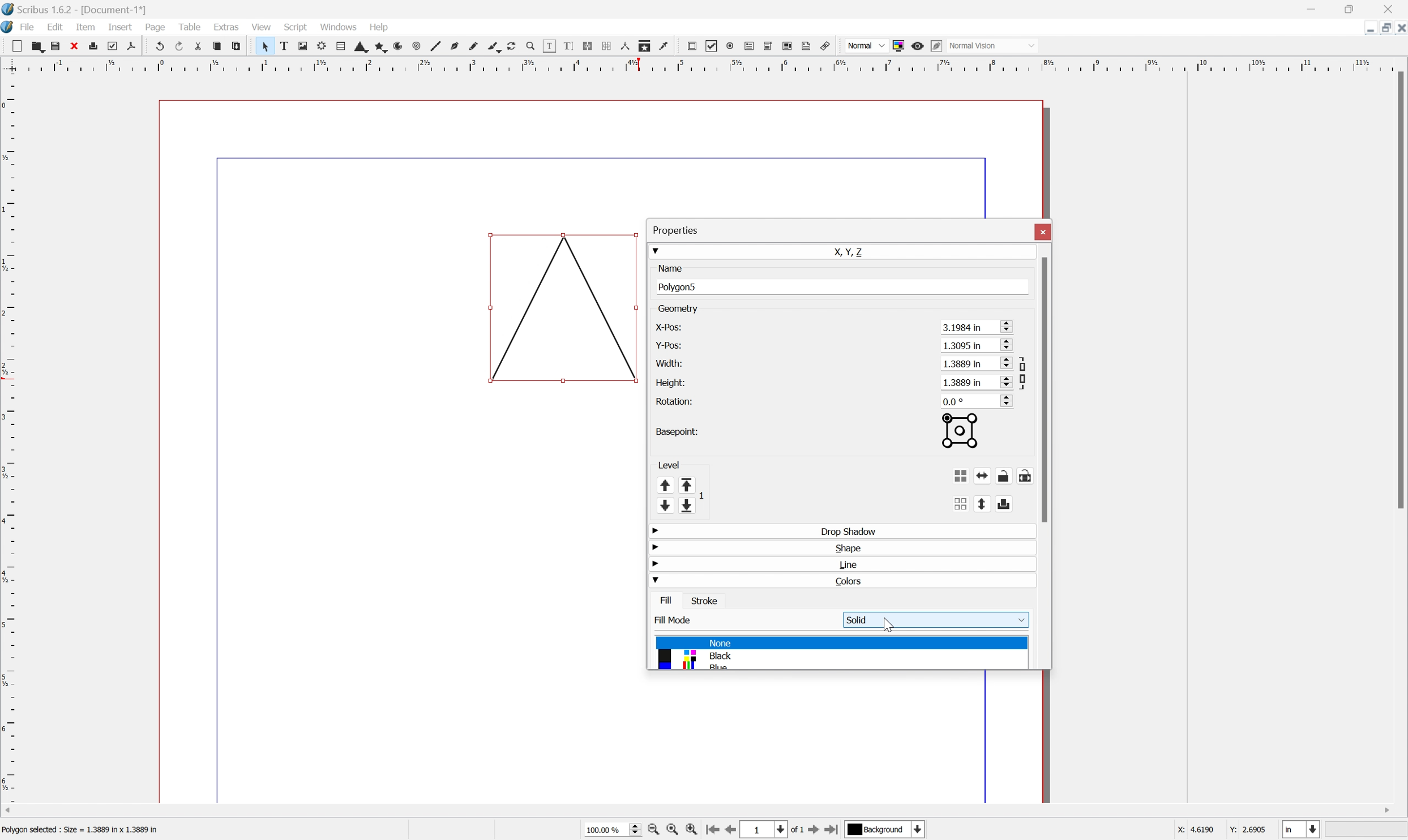  What do you see at coordinates (286, 46) in the screenshot?
I see `Text frame` at bounding box center [286, 46].